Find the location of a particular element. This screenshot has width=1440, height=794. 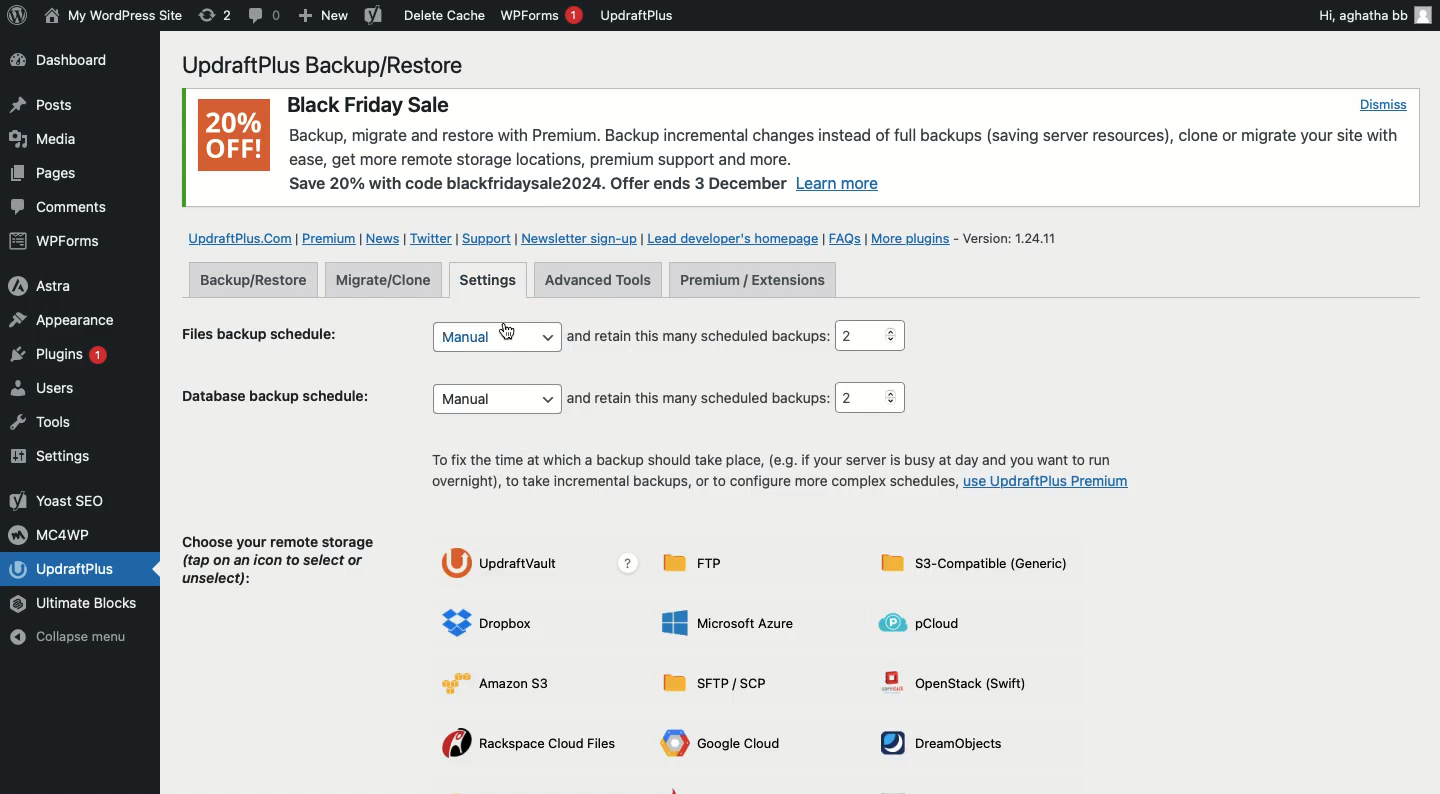

Premium  is located at coordinates (331, 239).